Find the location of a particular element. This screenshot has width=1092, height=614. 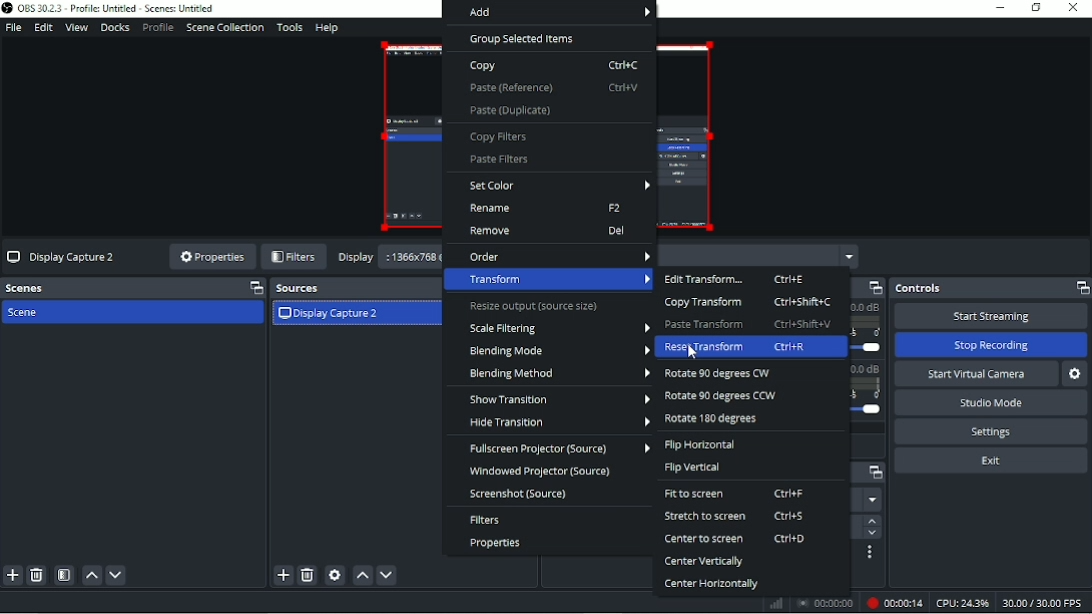

Open scene filters is located at coordinates (64, 575).